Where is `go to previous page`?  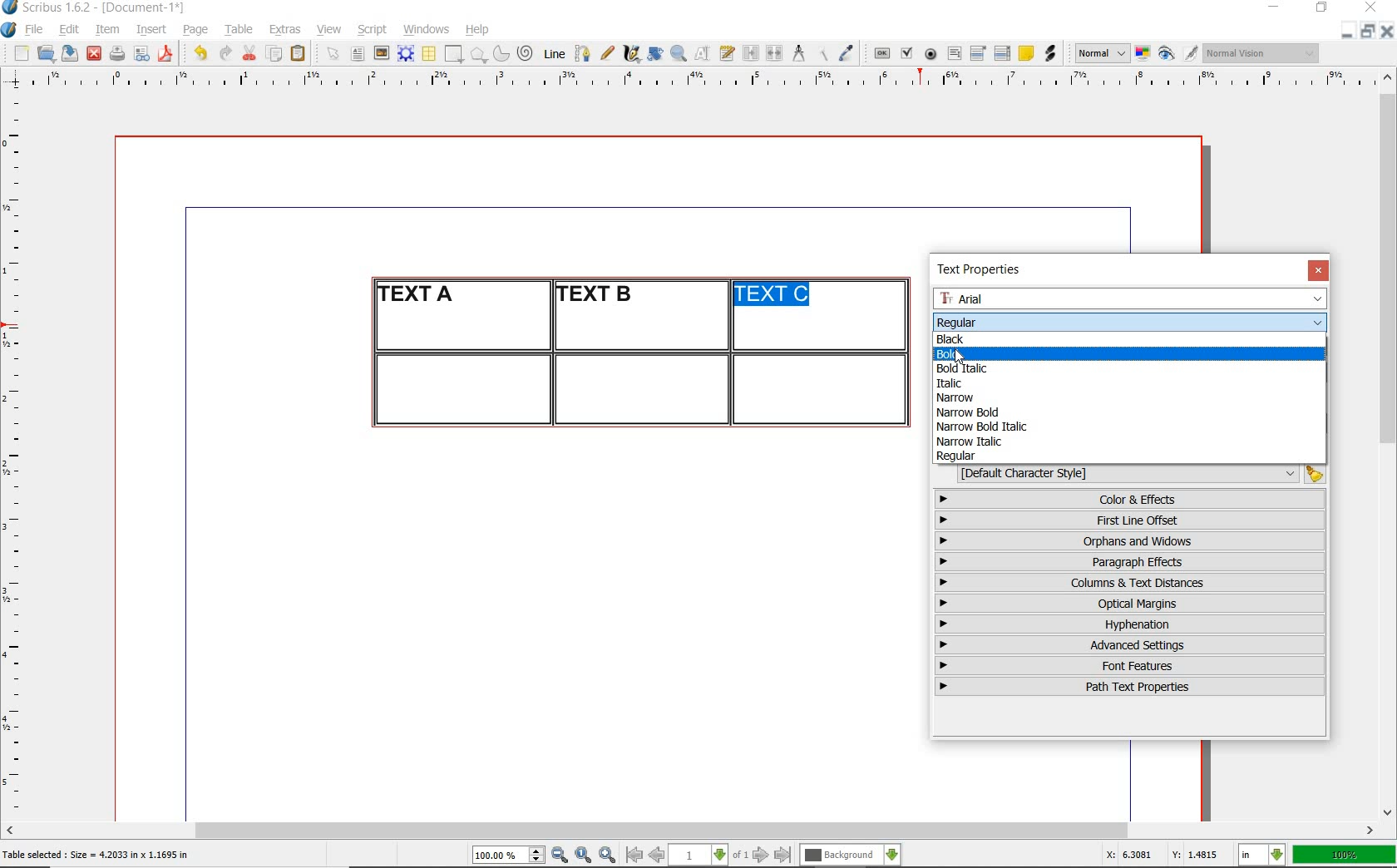
go to previous page is located at coordinates (656, 856).